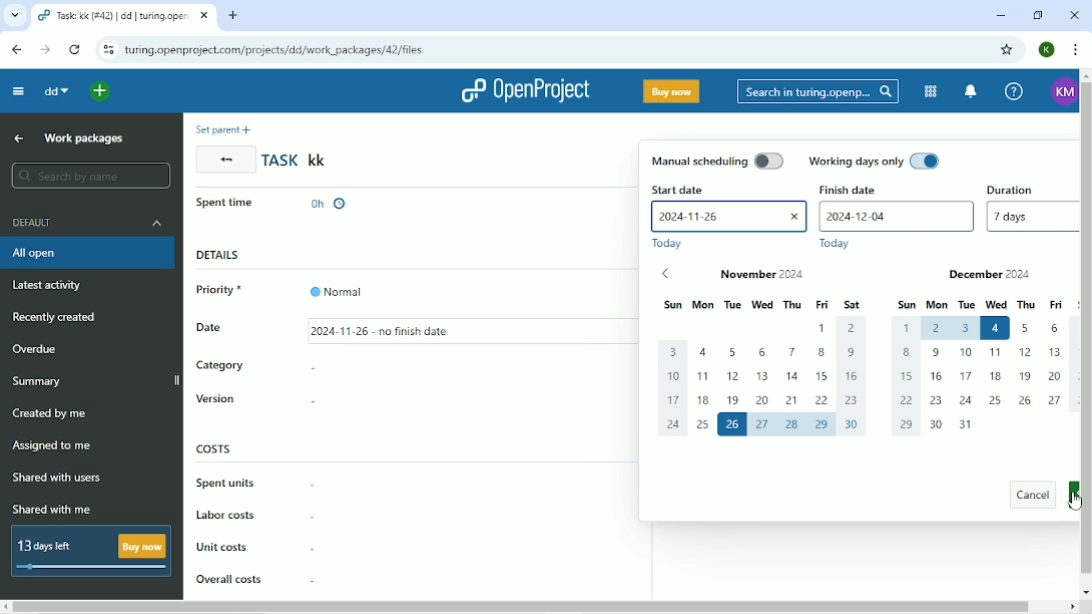 This screenshot has height=614, width=1092. What do you see at coordinates (36, 382) in the screenshot?
I see `Summary` at bounding box center [36, 382].